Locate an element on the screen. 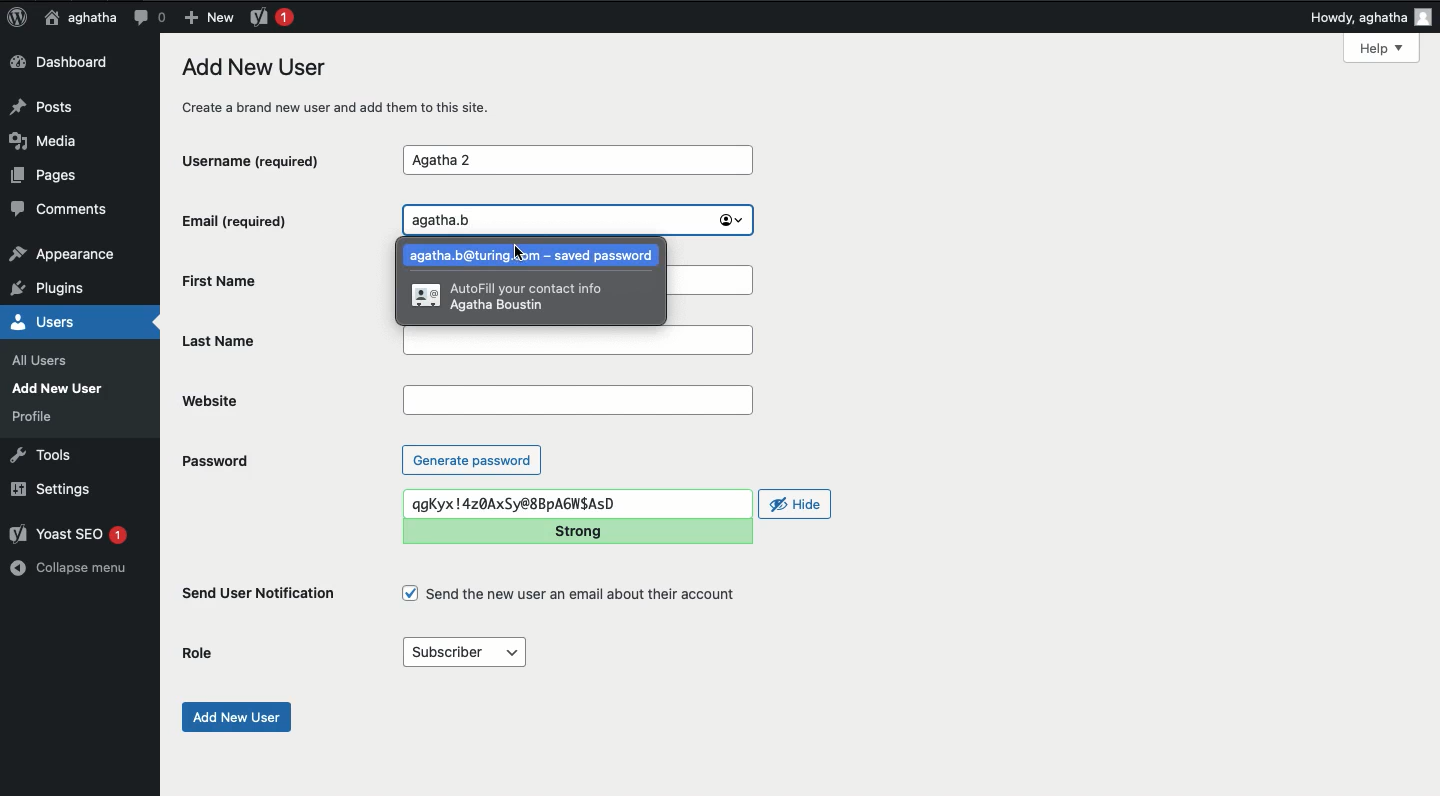 The height and width of the screenshot is (796, 1440). Pages is located at coordinates (50, 179).